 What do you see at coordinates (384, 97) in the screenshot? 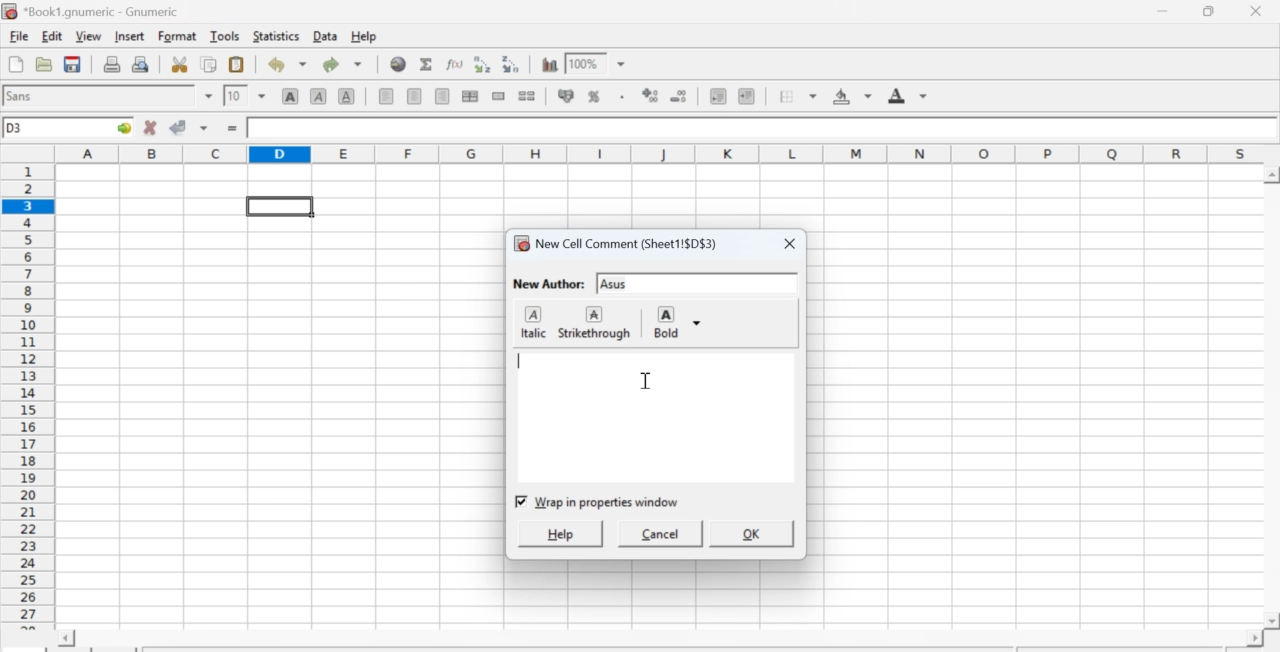
I see `Align Left` at bounding box center [384, 97].